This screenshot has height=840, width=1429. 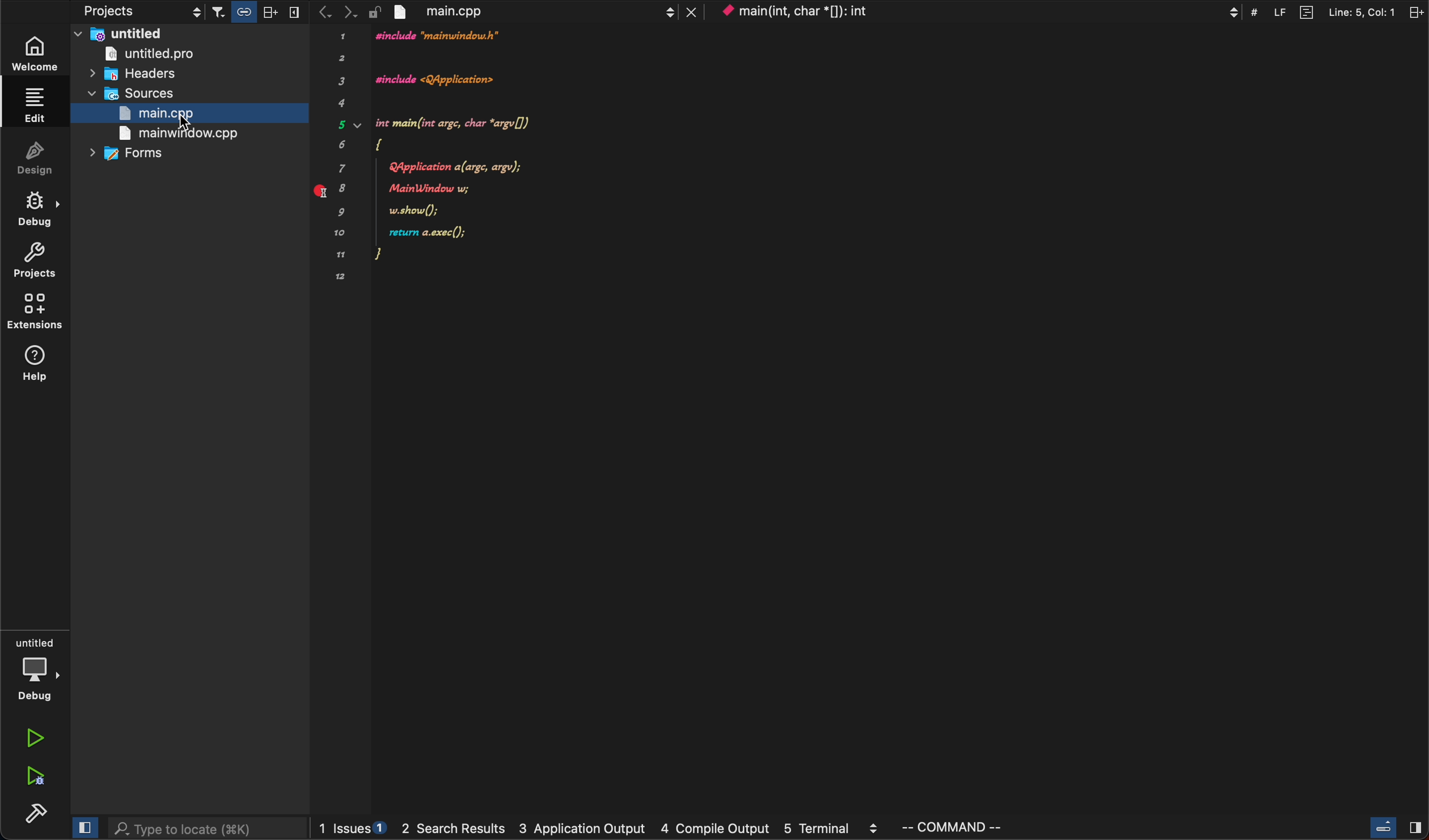 What do you see at coordinates (175, 54) in the screenshot?
I see `untitled pro` at bounding box center [175, 54].